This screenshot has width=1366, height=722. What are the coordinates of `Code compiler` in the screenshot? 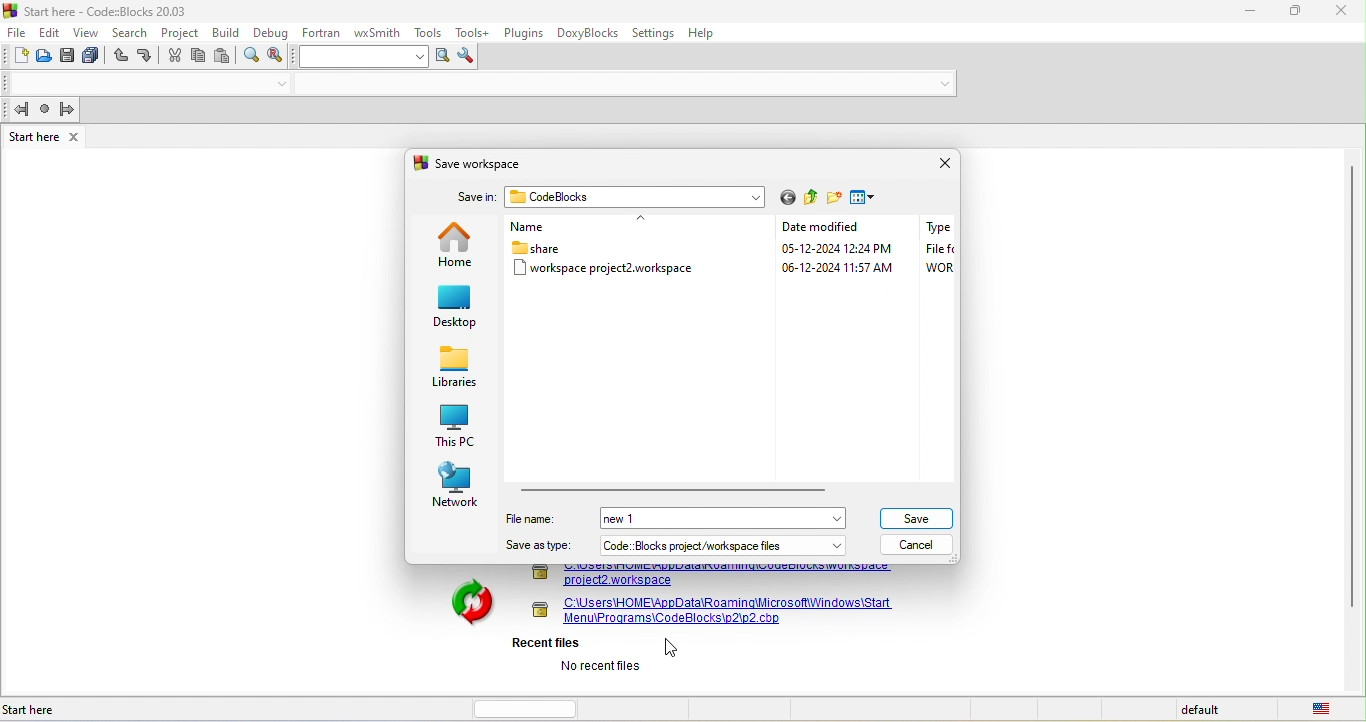 It's located at (482, 85).